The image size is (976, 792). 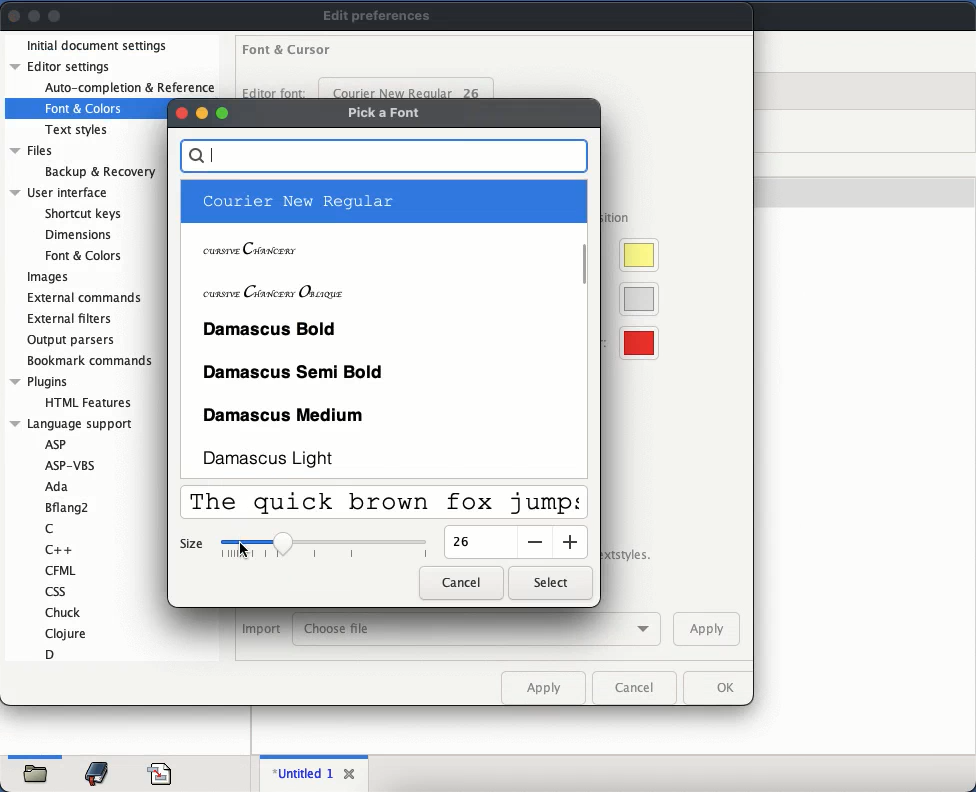 I want to click on , so click(x=221, y=111).